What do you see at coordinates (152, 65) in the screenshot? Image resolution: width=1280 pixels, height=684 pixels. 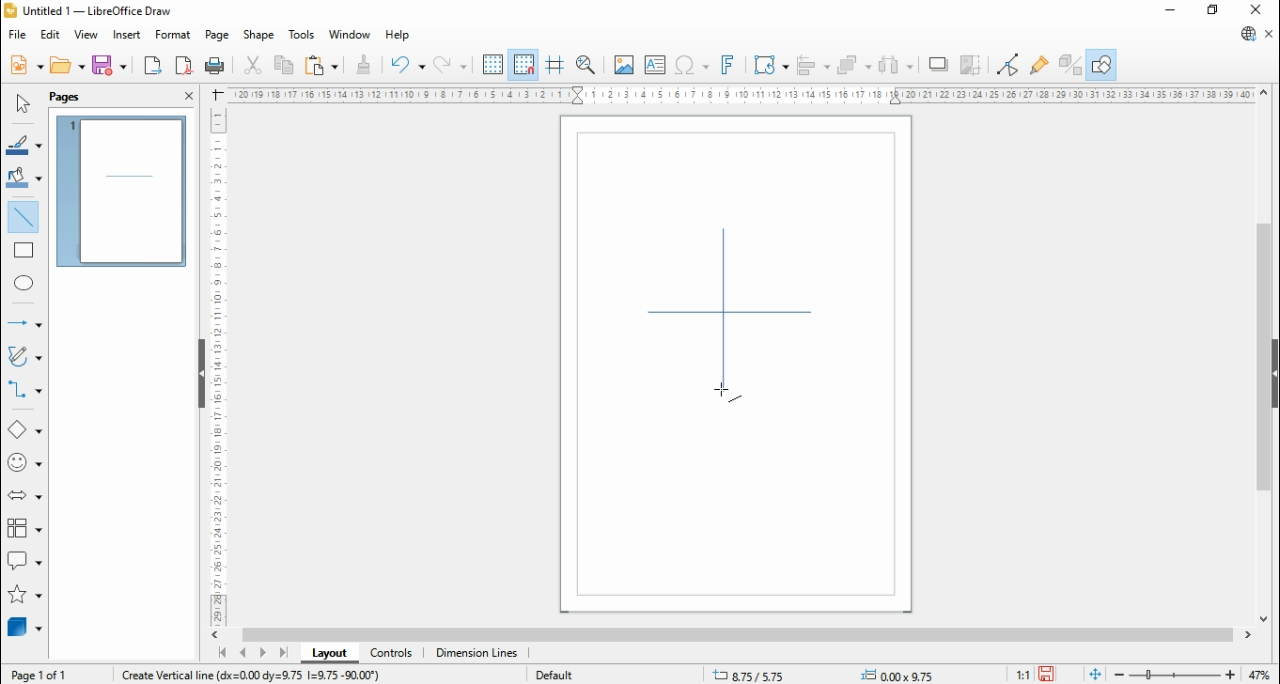 I see `export` at bounding box center [152, 65].